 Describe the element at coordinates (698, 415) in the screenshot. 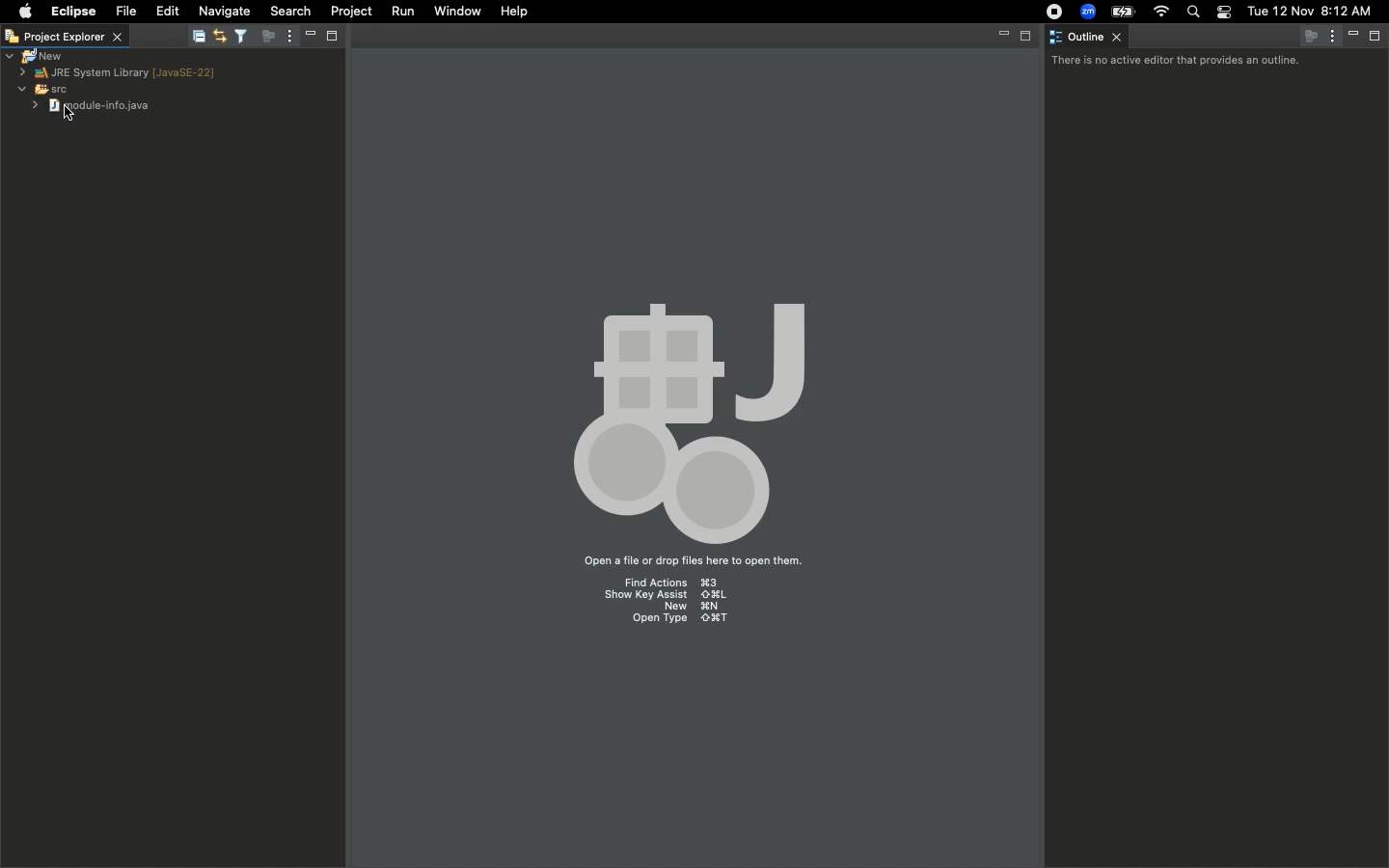

I see `Emblem` at that location.